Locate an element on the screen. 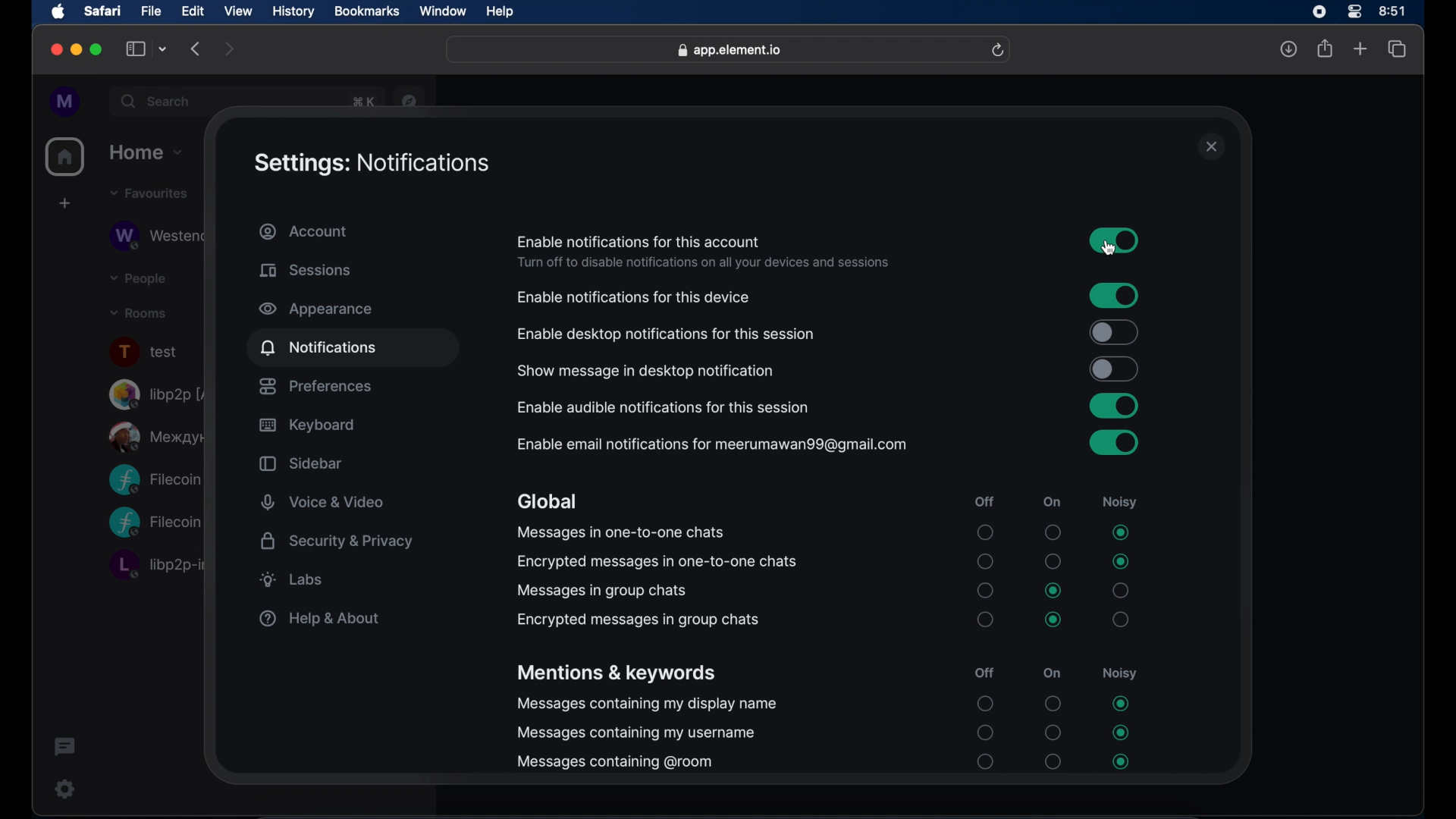 The image size is (1456, 819). messages containing @room is located at coordinates (615, 763).